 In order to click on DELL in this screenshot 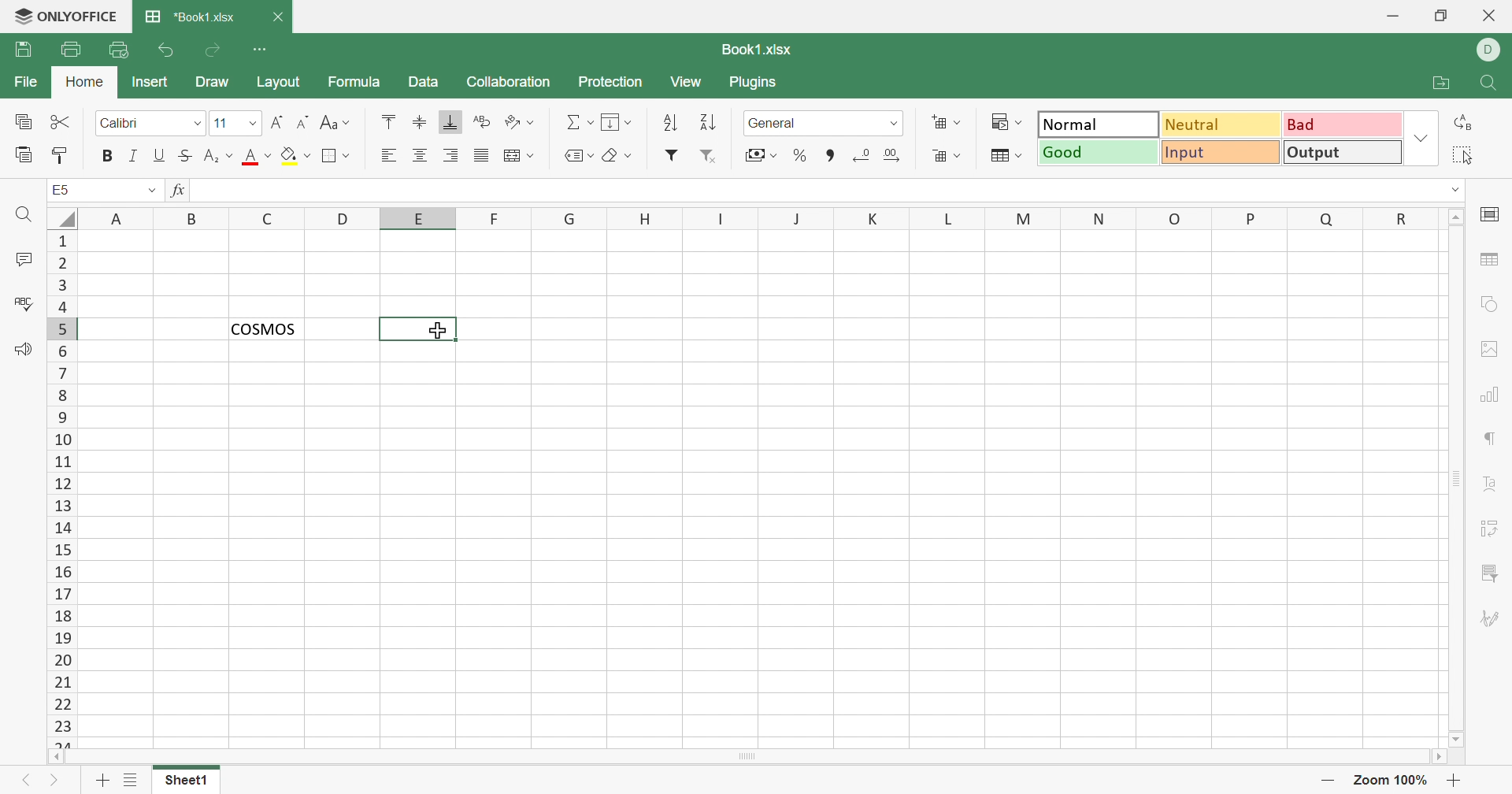, I will do `click(1488, 50)`.